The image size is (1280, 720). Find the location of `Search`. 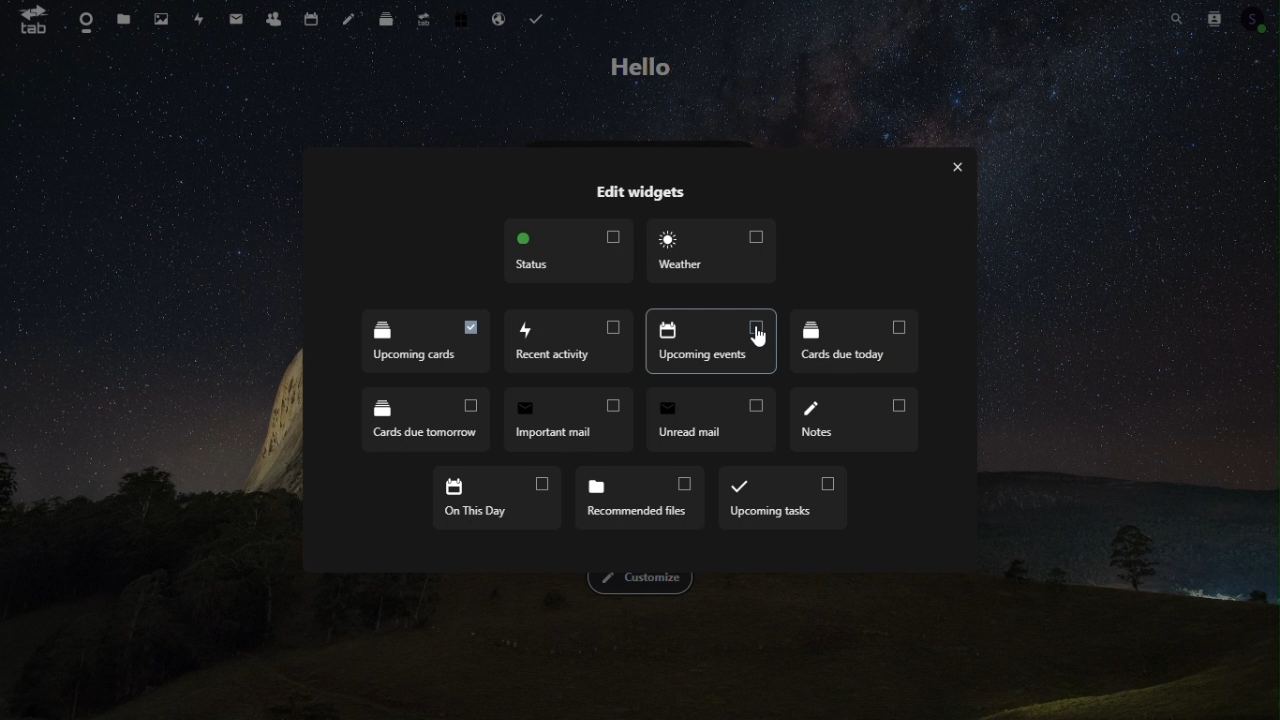

Search is located at coordinates (1177, 19).